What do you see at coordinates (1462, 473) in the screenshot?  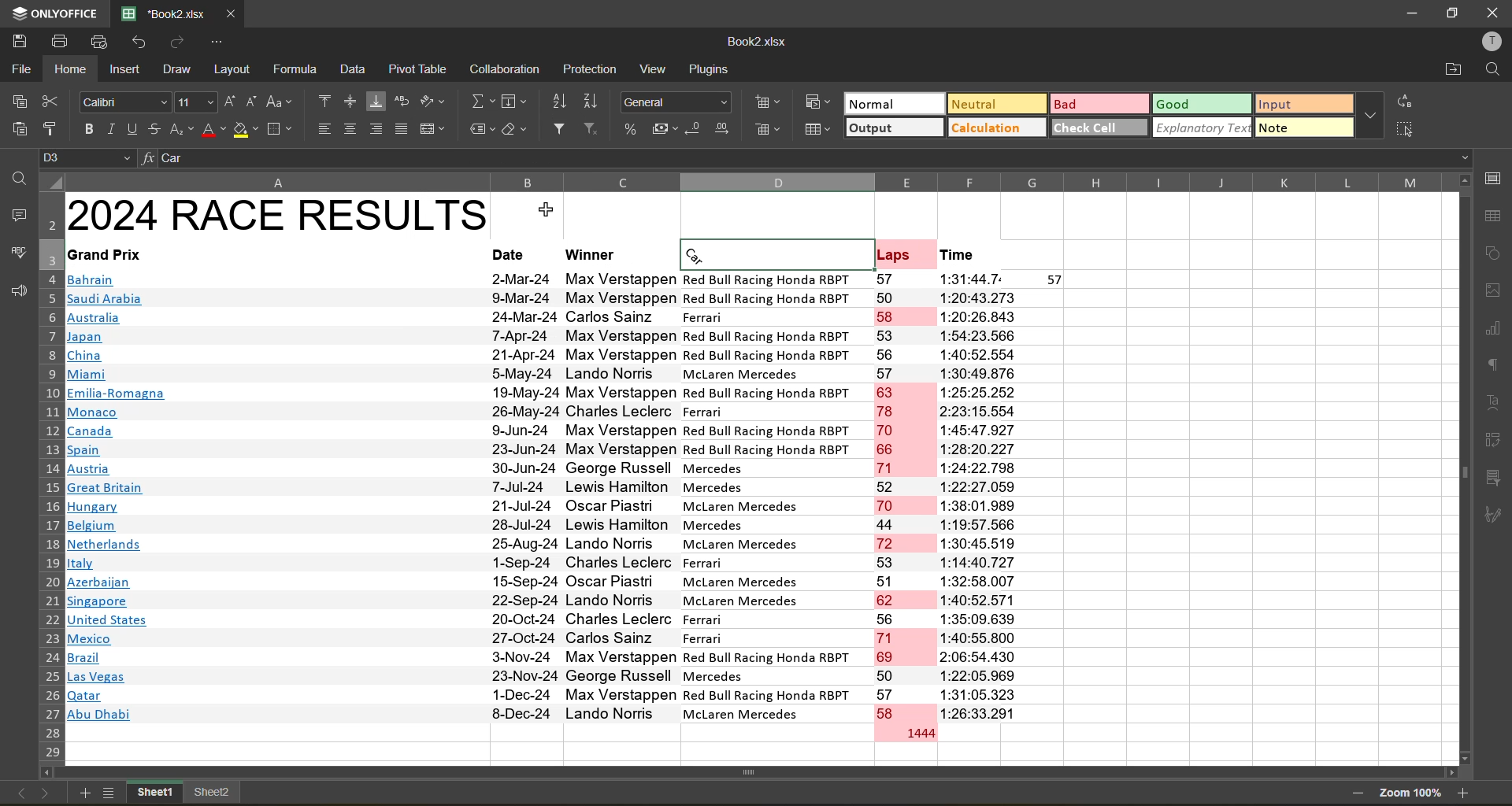 I see `Vertical scroll` at bounding box center [1462, 473].